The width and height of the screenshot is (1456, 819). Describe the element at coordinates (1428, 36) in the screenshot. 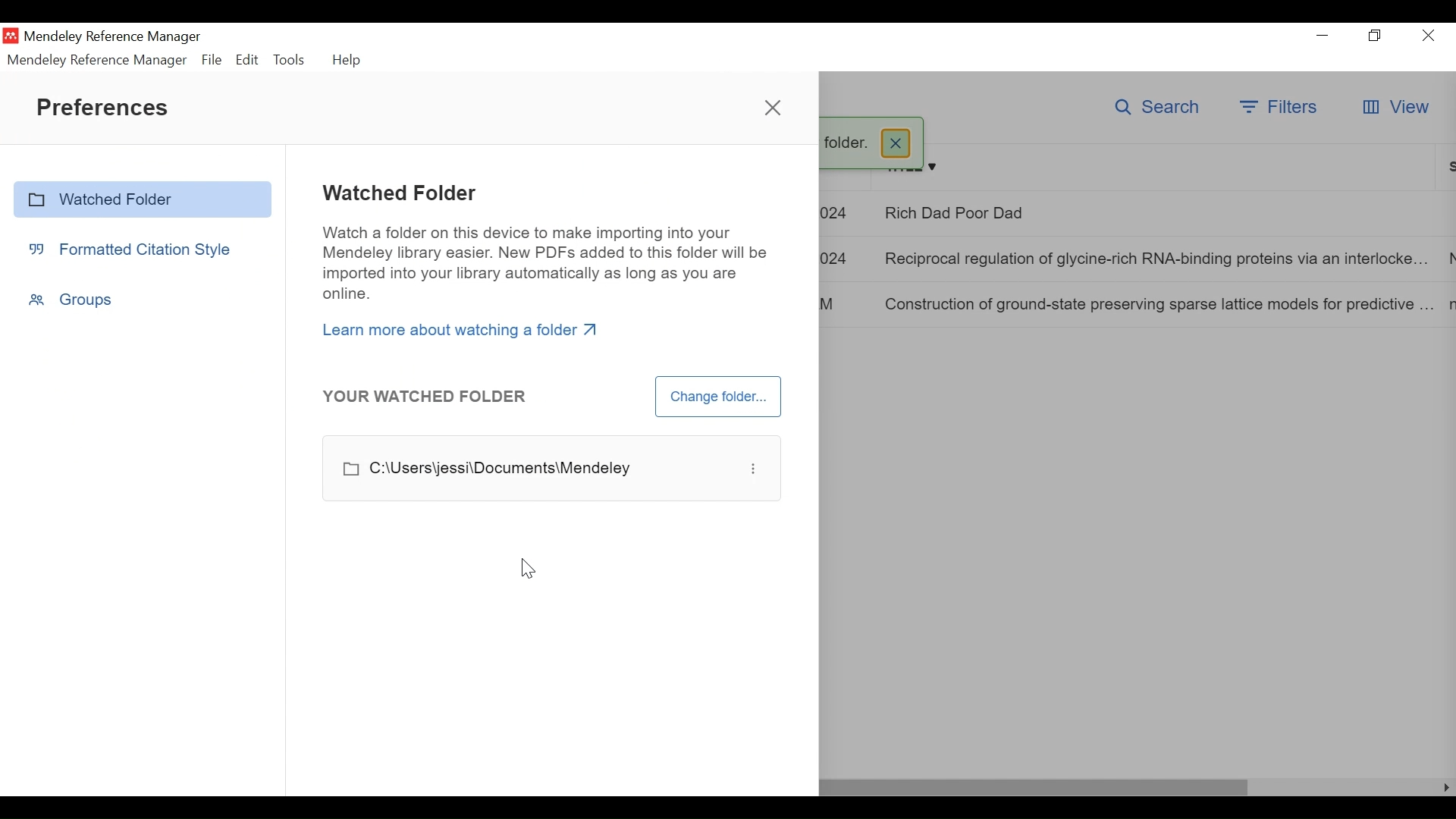

I see `Close` at that location.